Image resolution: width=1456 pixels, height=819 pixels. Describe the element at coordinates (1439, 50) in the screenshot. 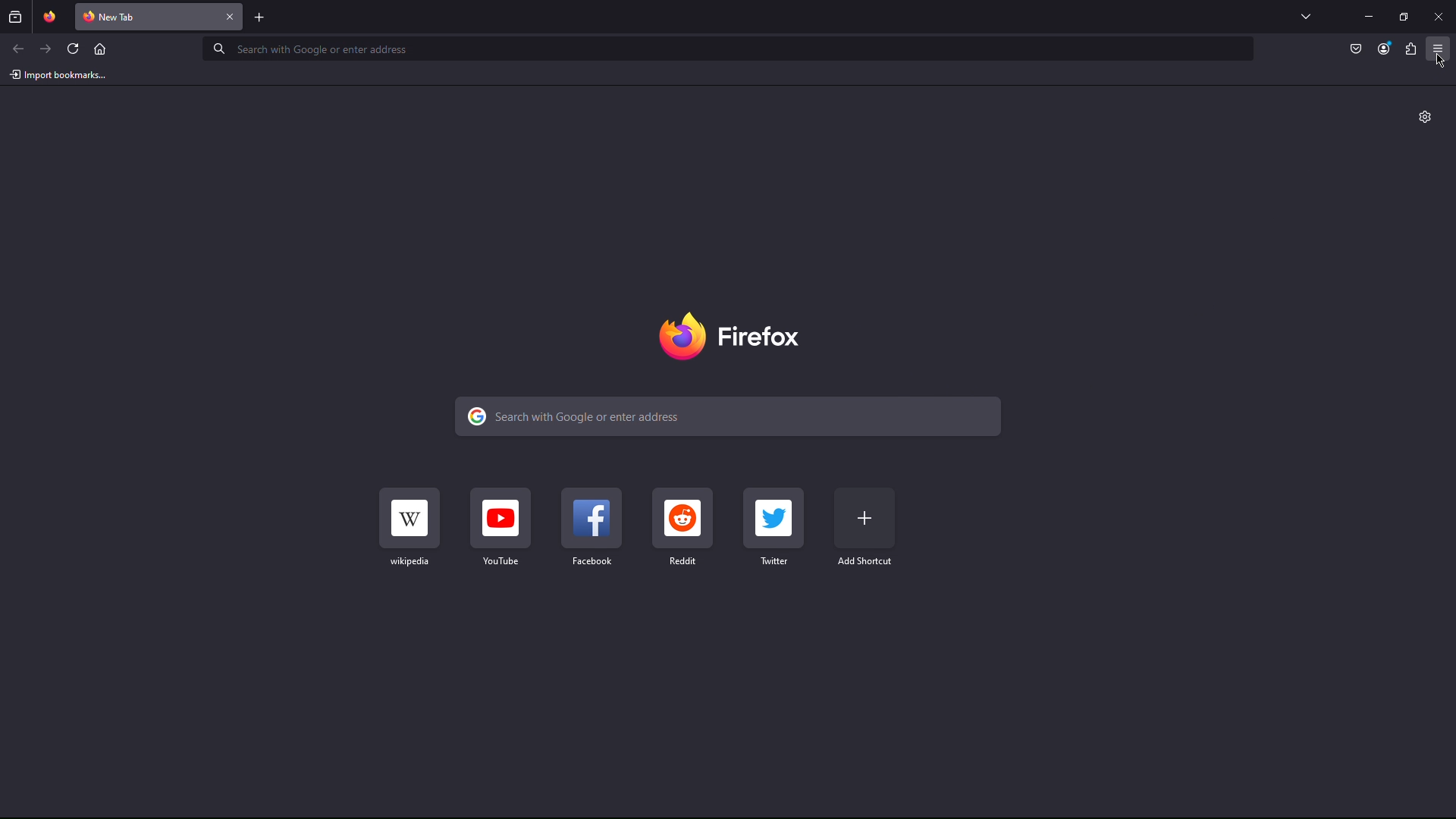

I see `Application Menu` at that location.